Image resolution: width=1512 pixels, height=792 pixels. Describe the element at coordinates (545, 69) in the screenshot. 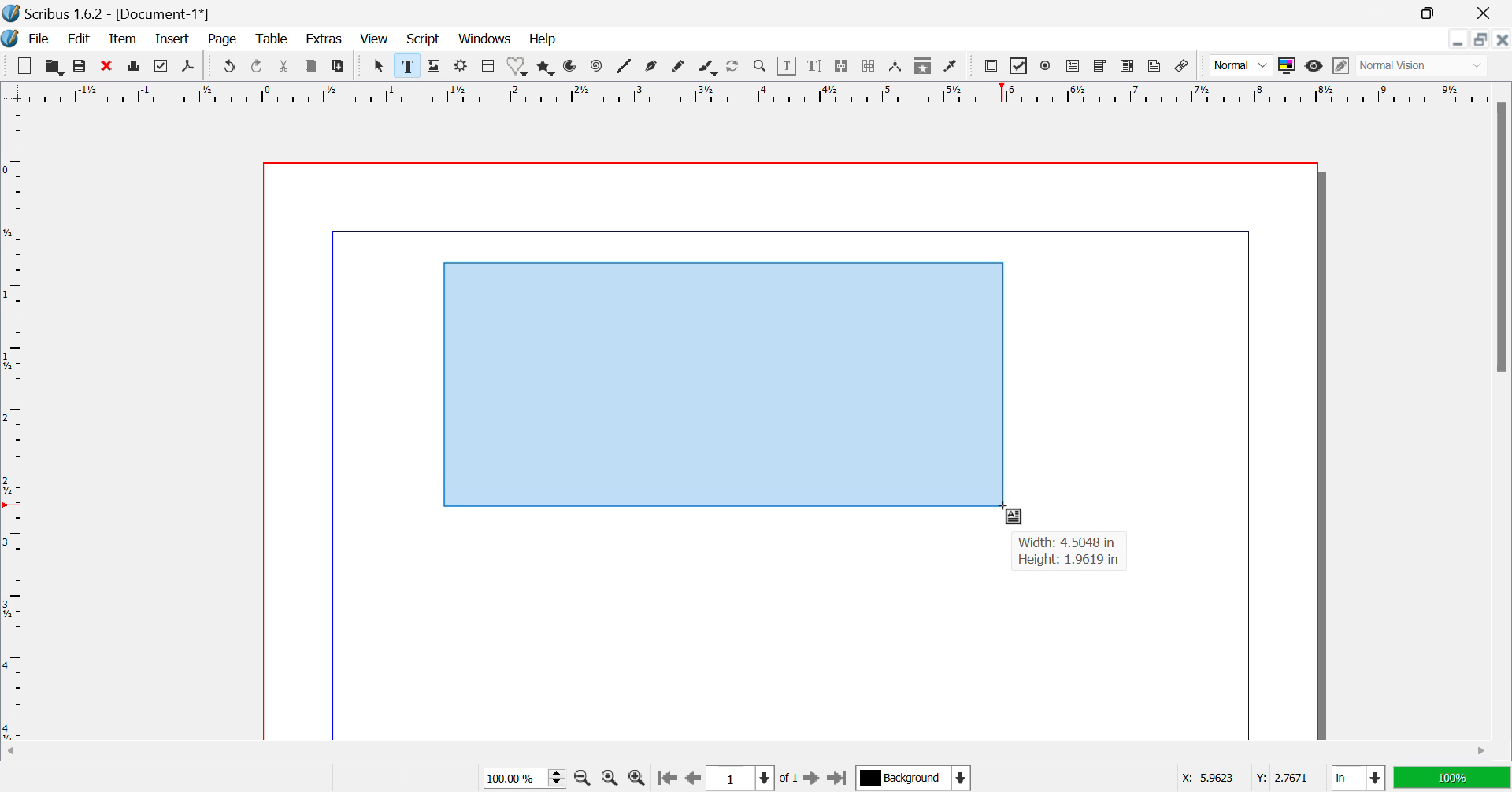

I see `Polygons` at that location.